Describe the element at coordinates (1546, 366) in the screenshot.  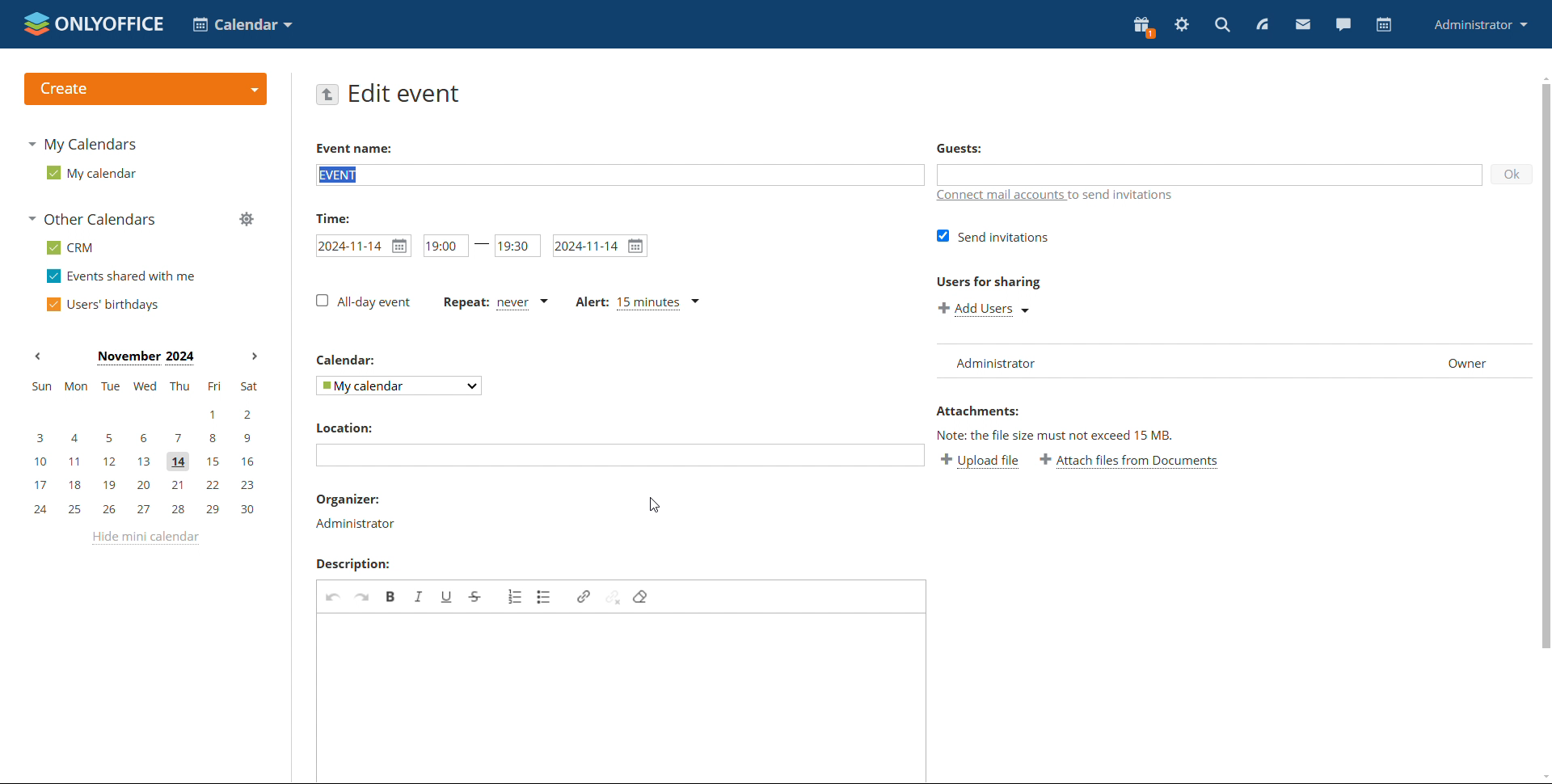
I see `scrollbar` at that location.